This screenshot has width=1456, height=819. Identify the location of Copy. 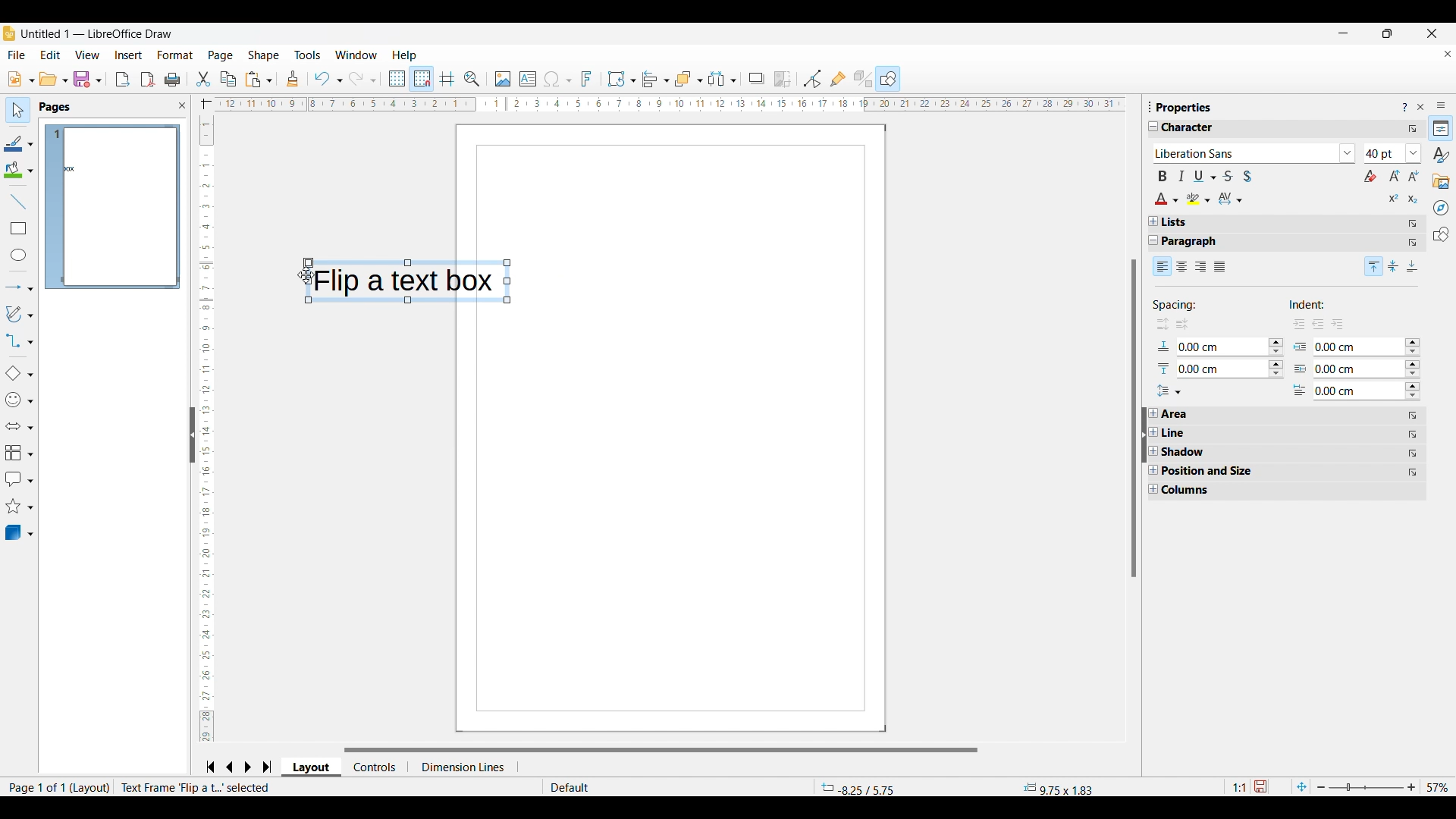
(228, 79).